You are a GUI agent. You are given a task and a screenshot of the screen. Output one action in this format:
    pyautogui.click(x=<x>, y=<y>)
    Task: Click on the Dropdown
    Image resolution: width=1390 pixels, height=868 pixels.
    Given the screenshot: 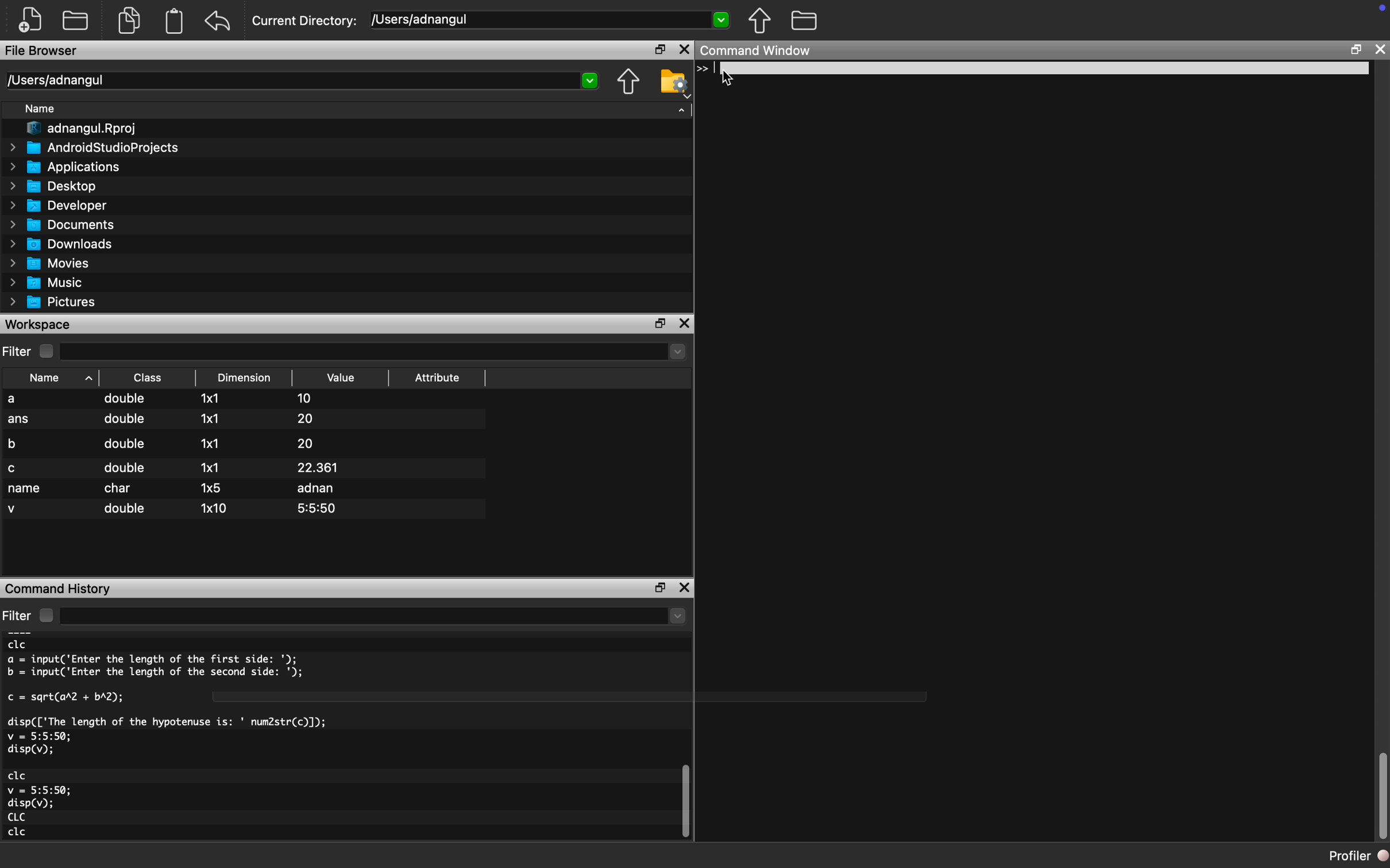 What is the action you would take?
    pyautogui.click(x=677, y=618)
    